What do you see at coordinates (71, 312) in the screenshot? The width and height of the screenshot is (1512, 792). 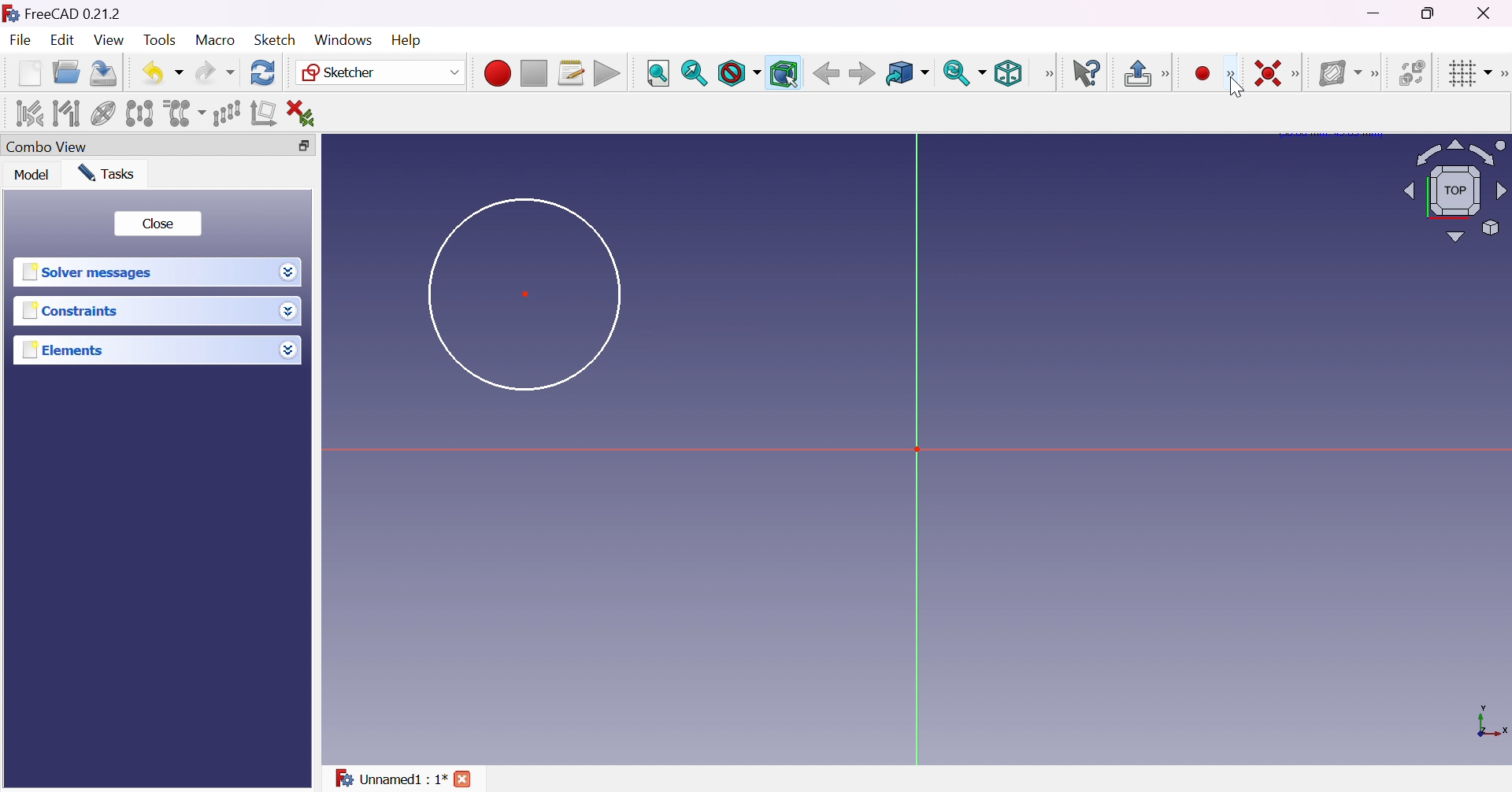 I see `Constraints` at bounding box center [71, 312].